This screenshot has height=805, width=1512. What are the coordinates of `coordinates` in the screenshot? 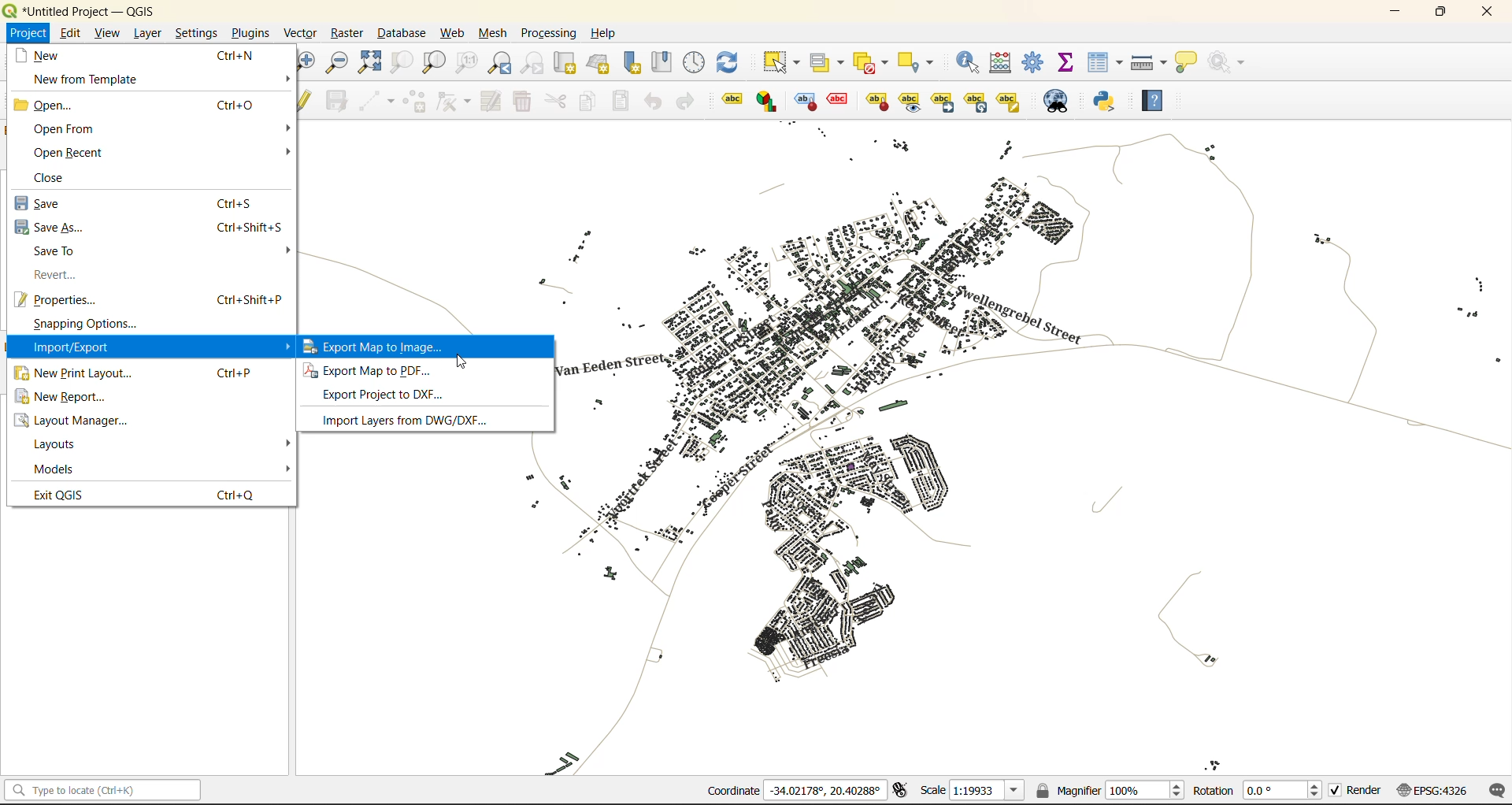 It's located at (795, 792).